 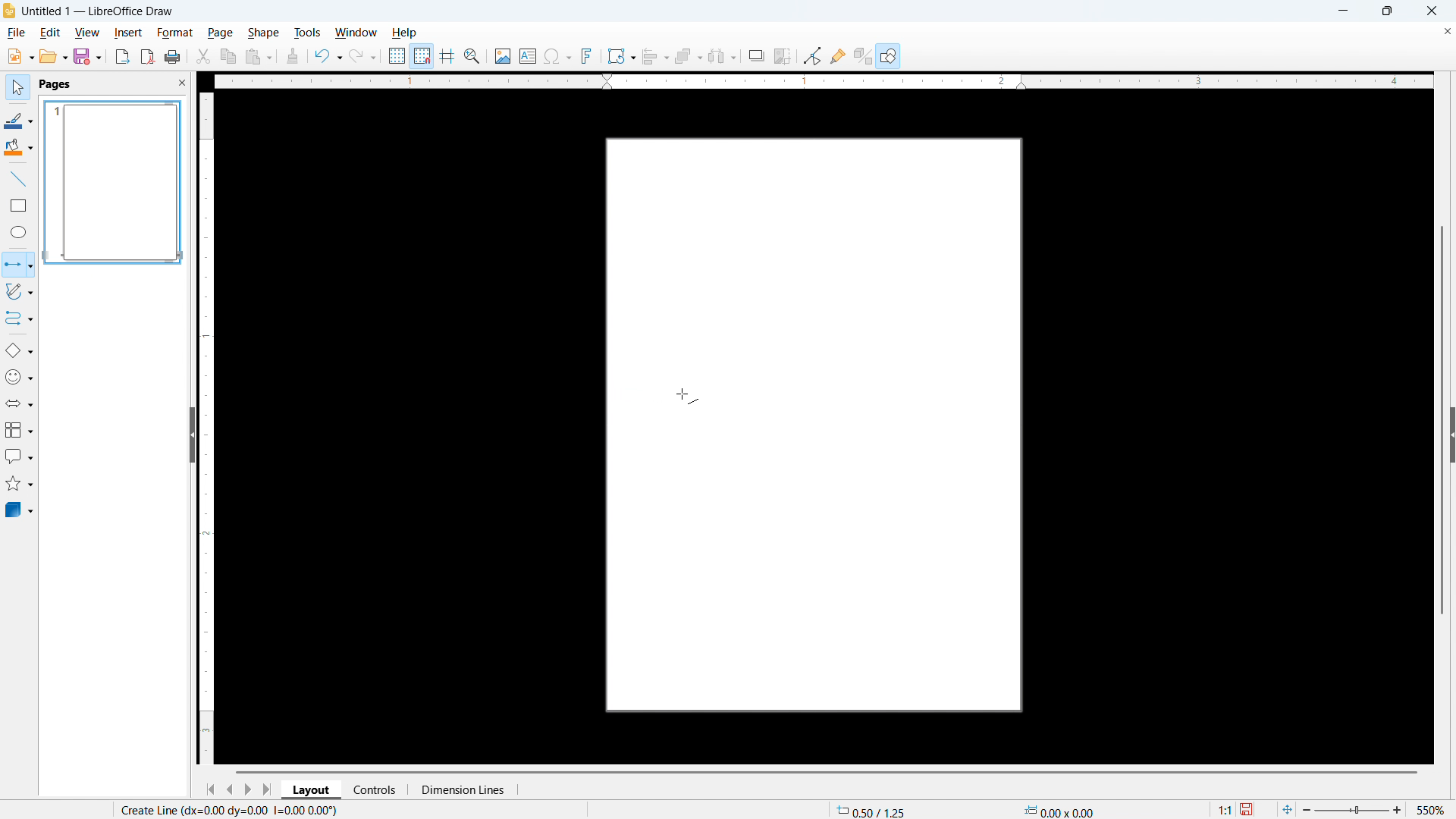 What do you see at coordinates (53, 56) in the screenshot?
I see `open ` at bounding box center [53, 56].